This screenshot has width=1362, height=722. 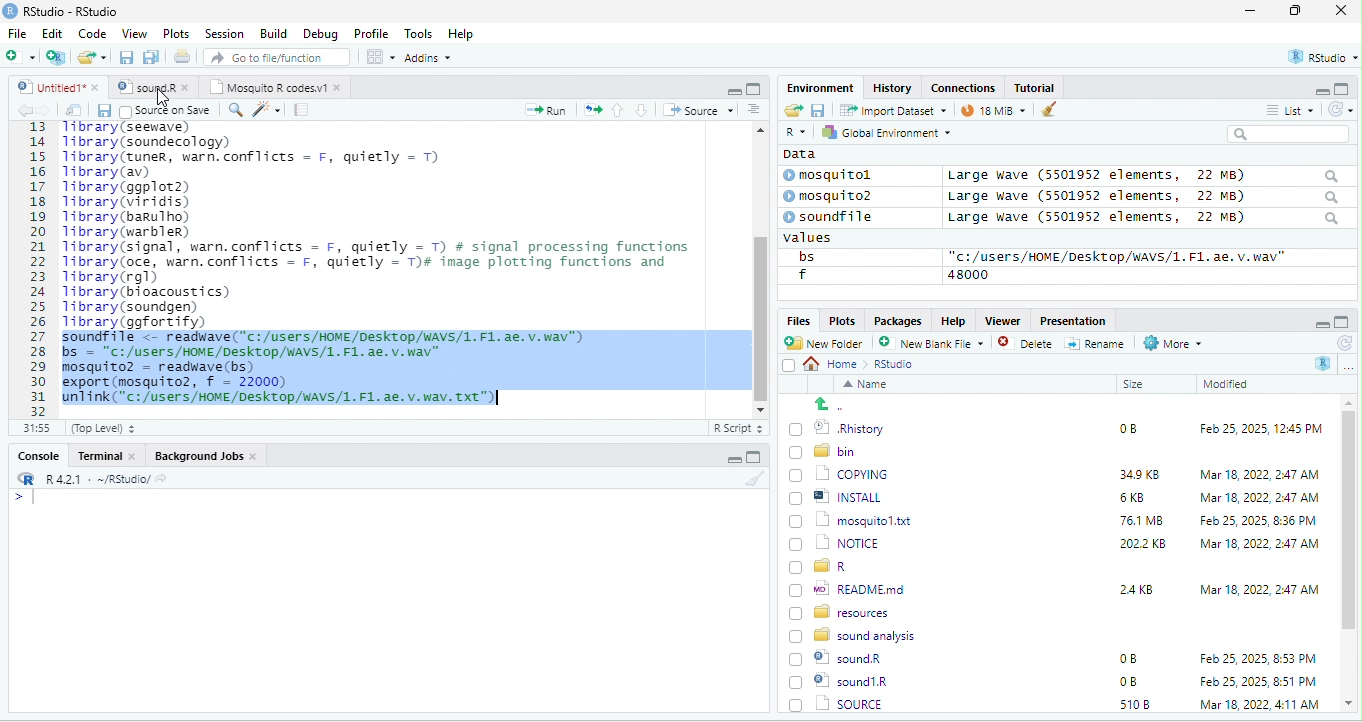 What do you see at coordinates (848, 681) in the screenshot?
I see `| SOURCE` at bounding box center [848, 681].